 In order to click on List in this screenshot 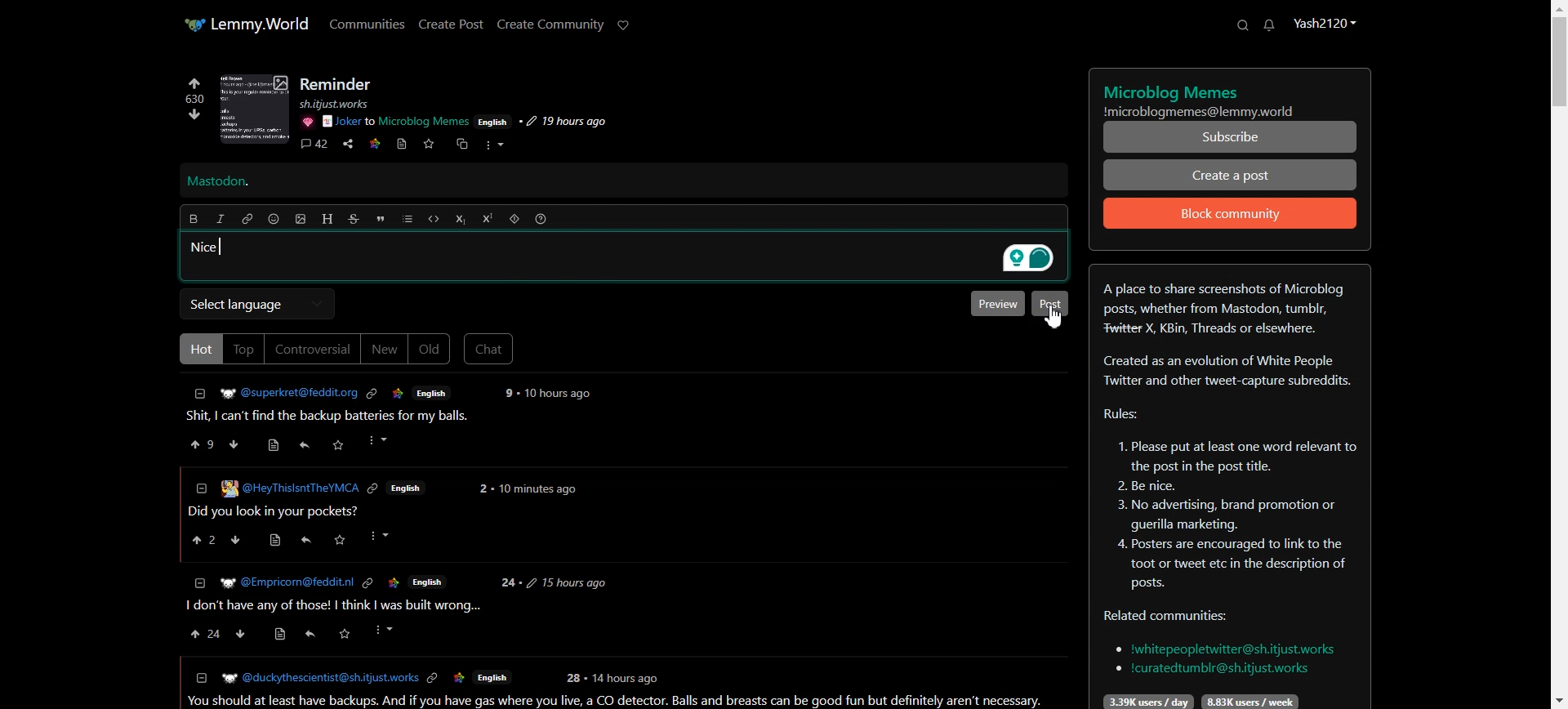, I will do `click(408, 219)`.